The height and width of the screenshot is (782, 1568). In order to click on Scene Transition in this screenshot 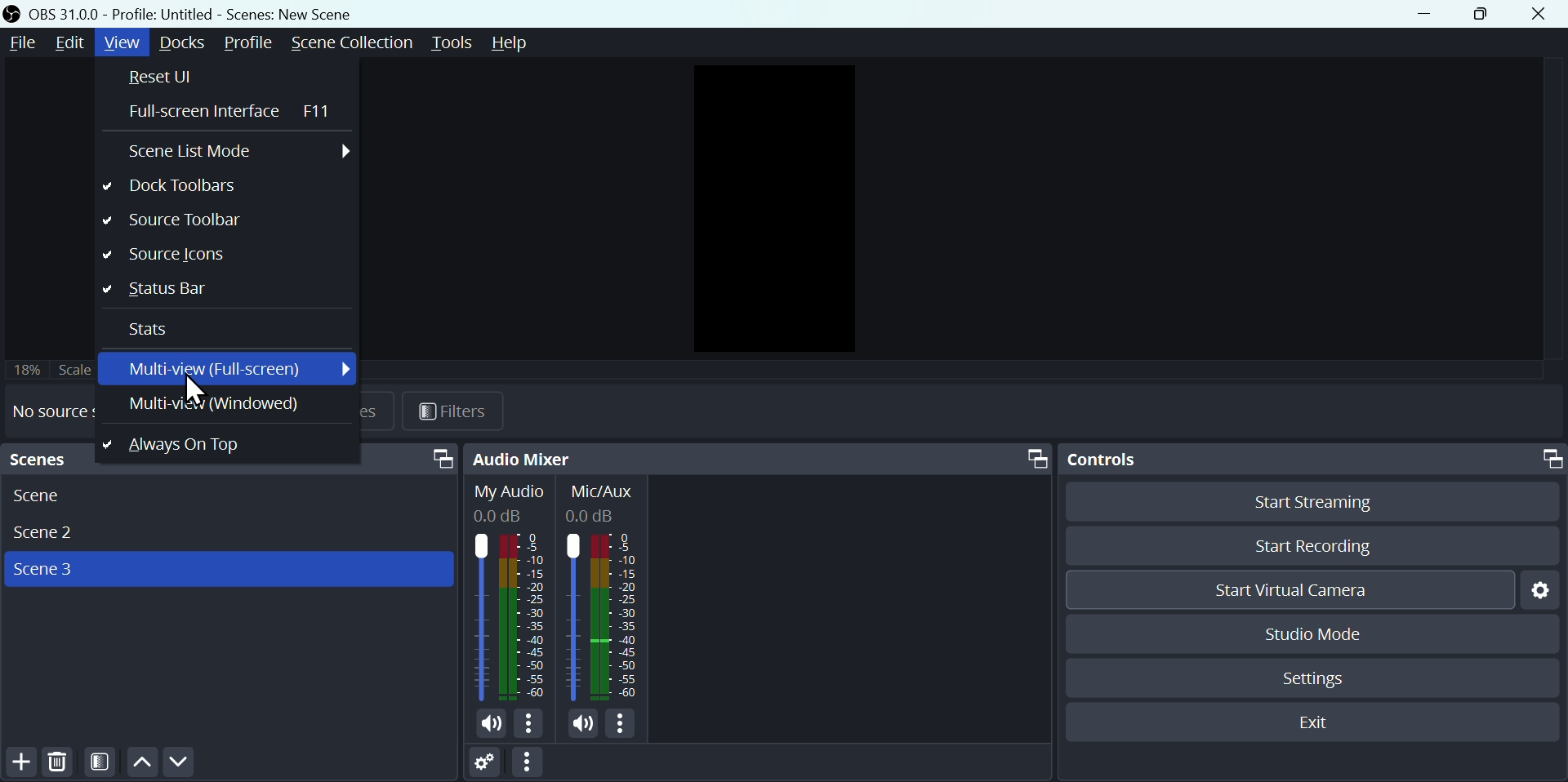, I will do `click(351, 43)`.